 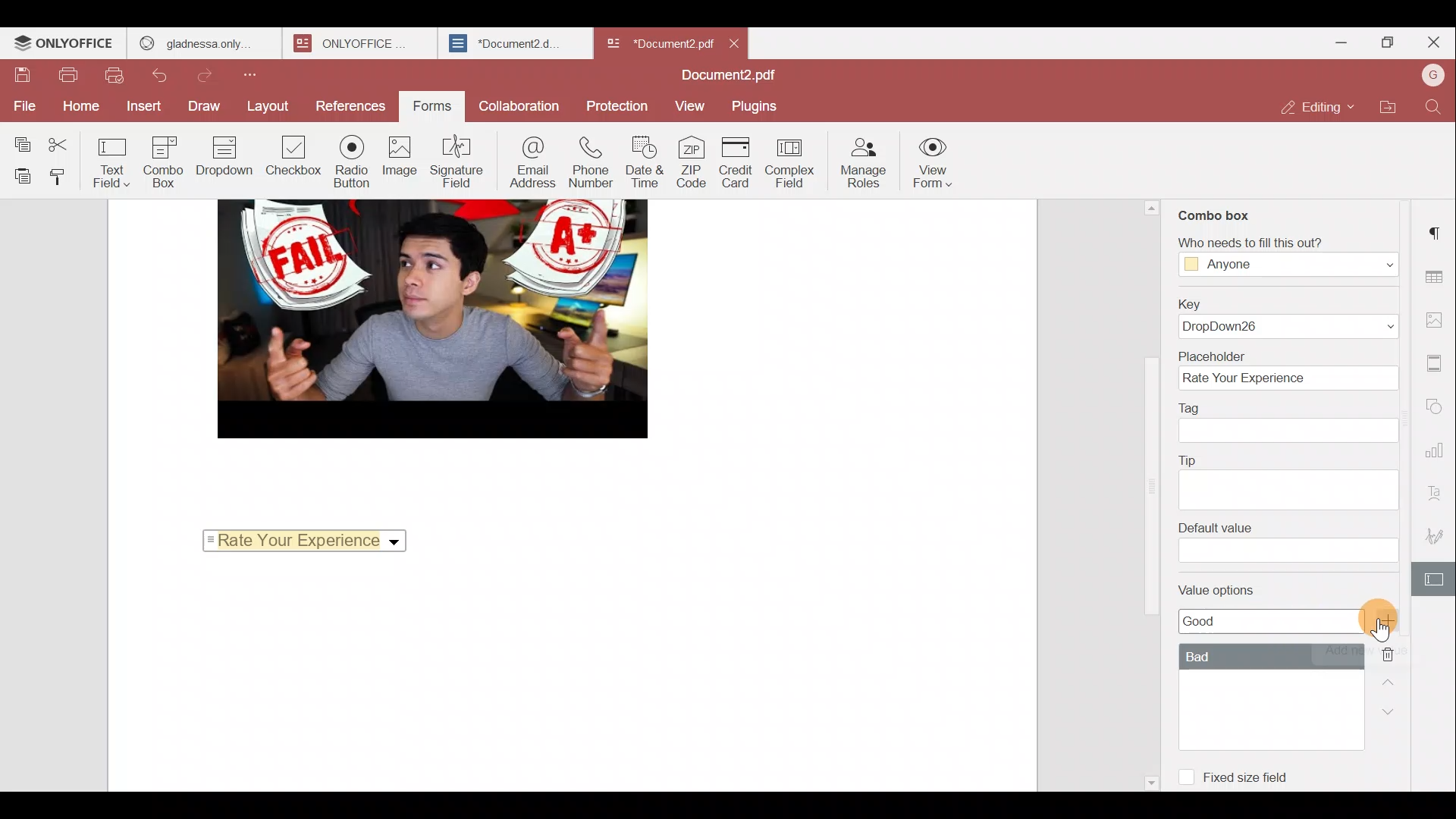 What do you see at coordinates (65, 177) in the screenshot?
I see `Copy style` at bounding box center [65, 177].